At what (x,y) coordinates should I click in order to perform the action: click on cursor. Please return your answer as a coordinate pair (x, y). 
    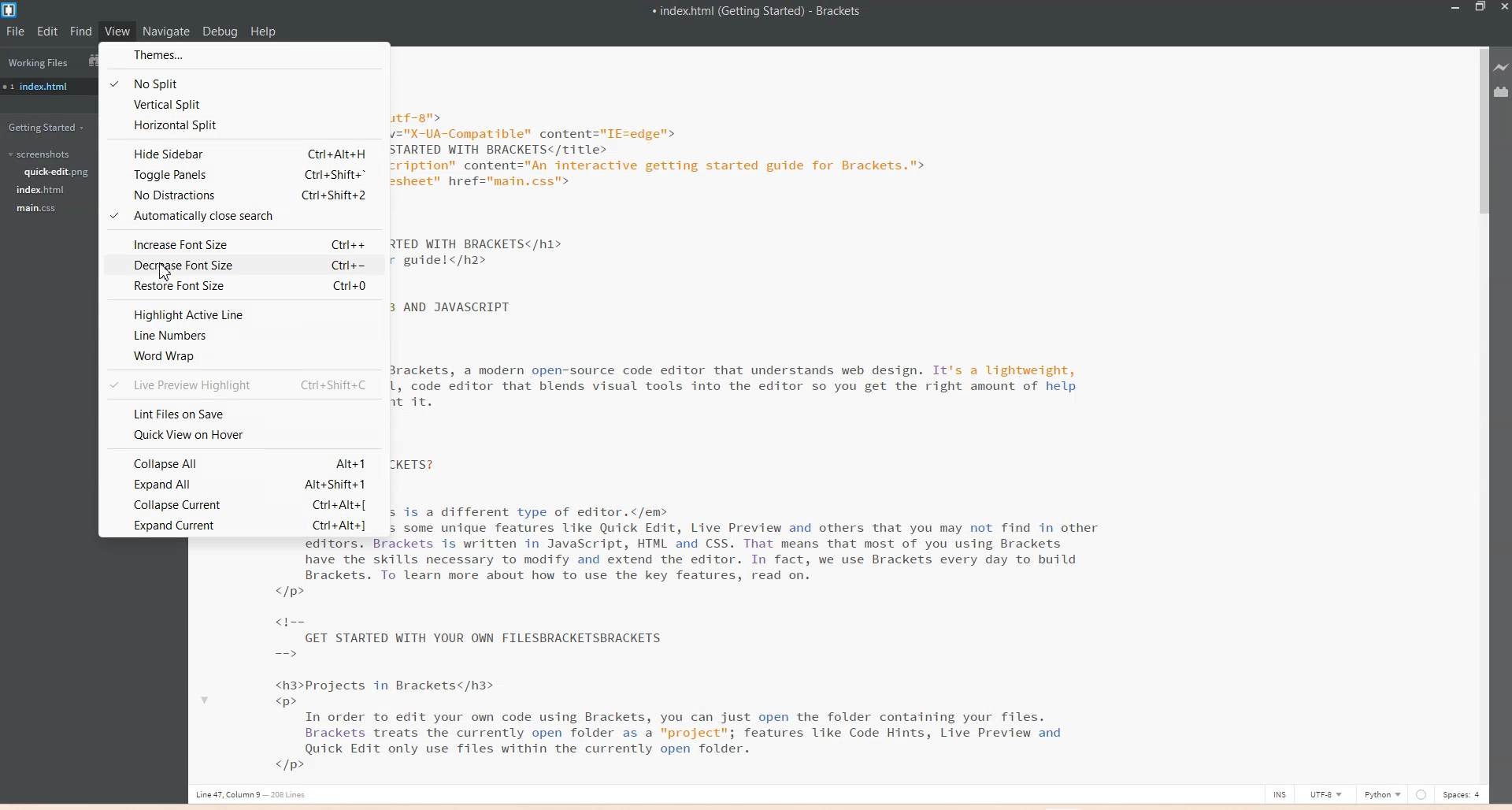
    Looking at the image, I should click on (163, 272).